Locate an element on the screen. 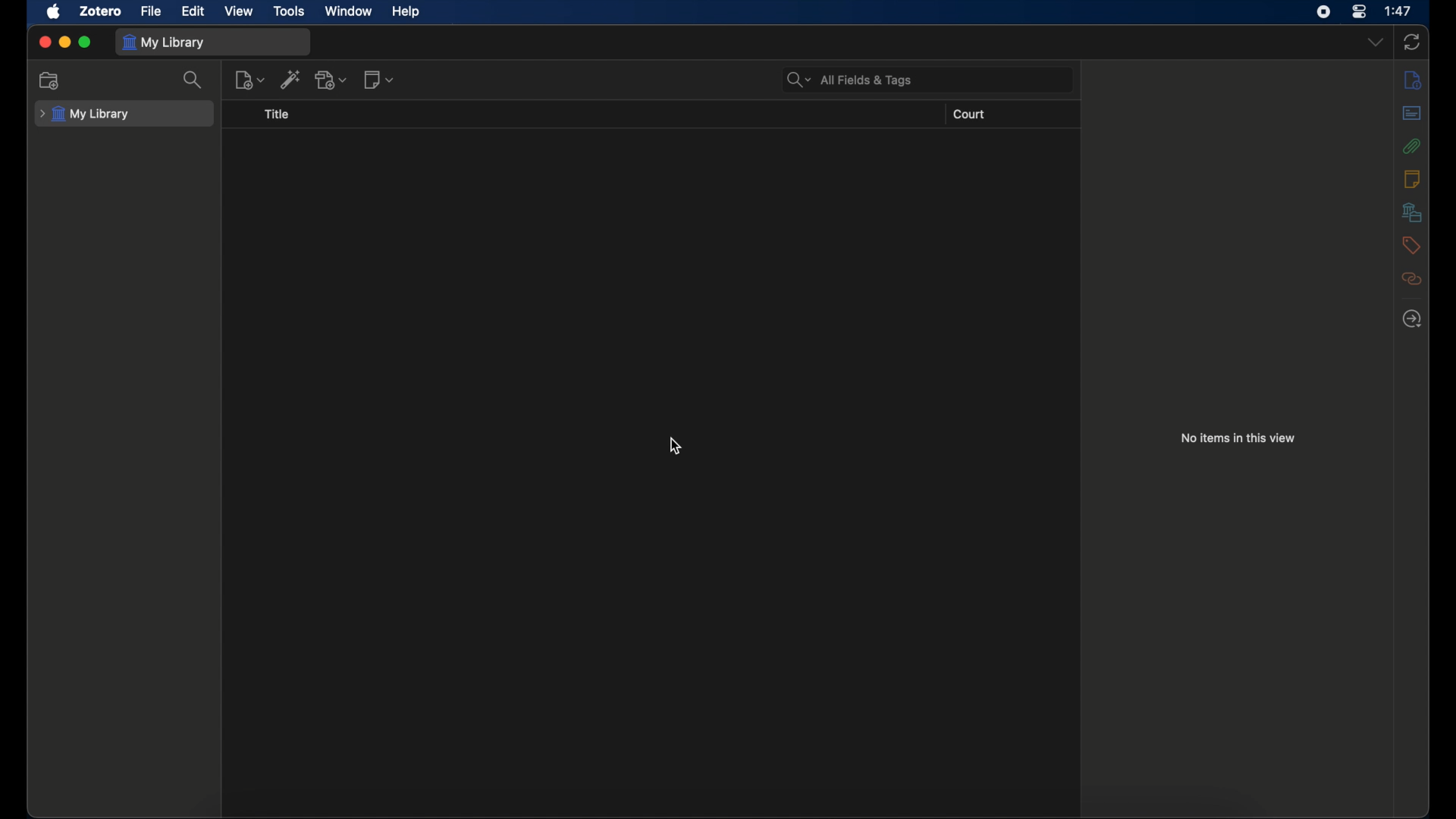  add item by identifier is located at coordinates (291, 79).